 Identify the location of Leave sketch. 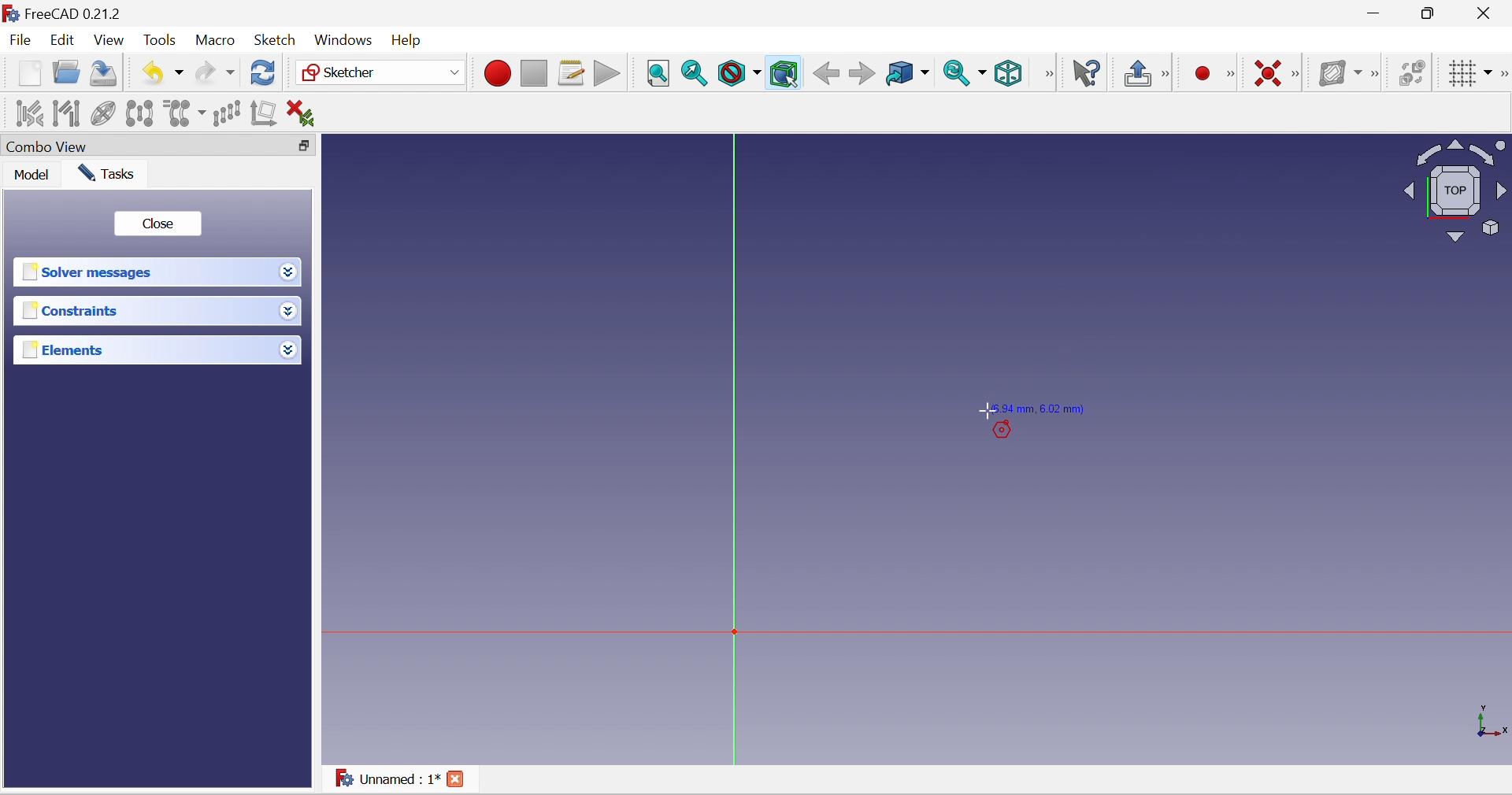
(1139, 75).